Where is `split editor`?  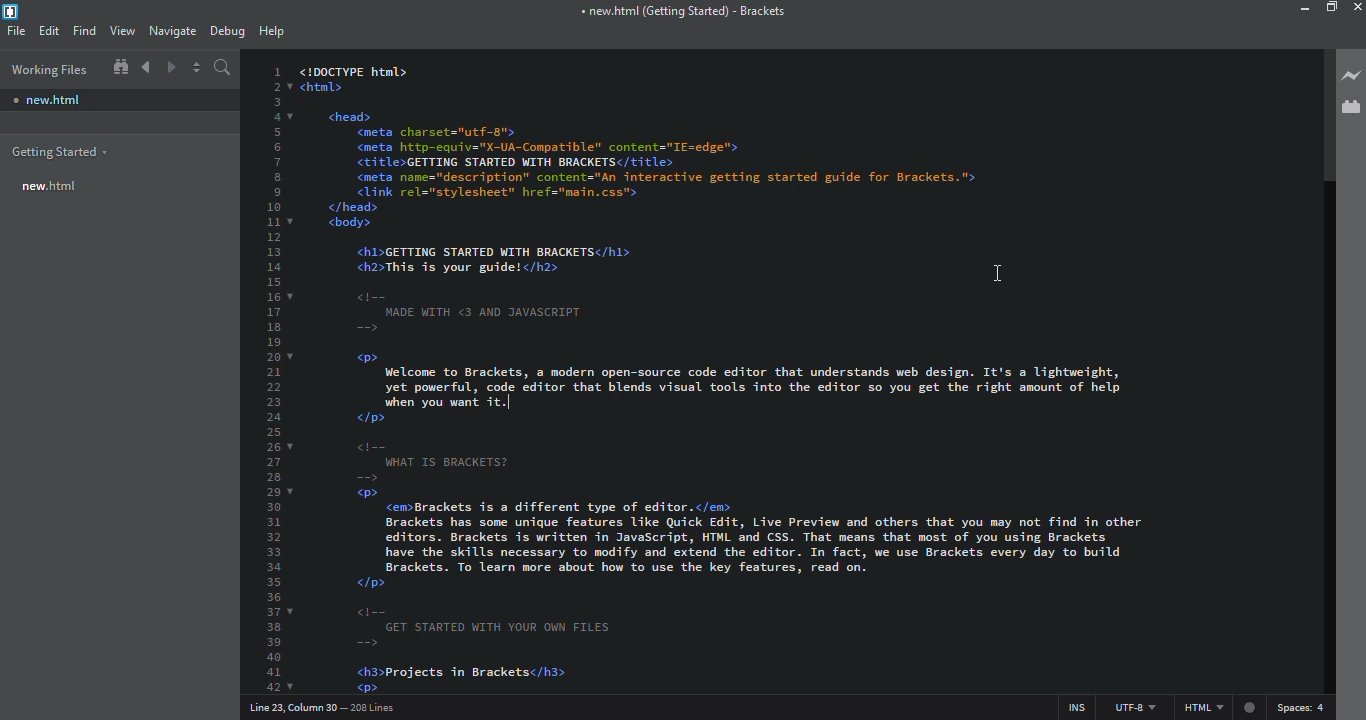 split editor is located at coordinates (198, 66).